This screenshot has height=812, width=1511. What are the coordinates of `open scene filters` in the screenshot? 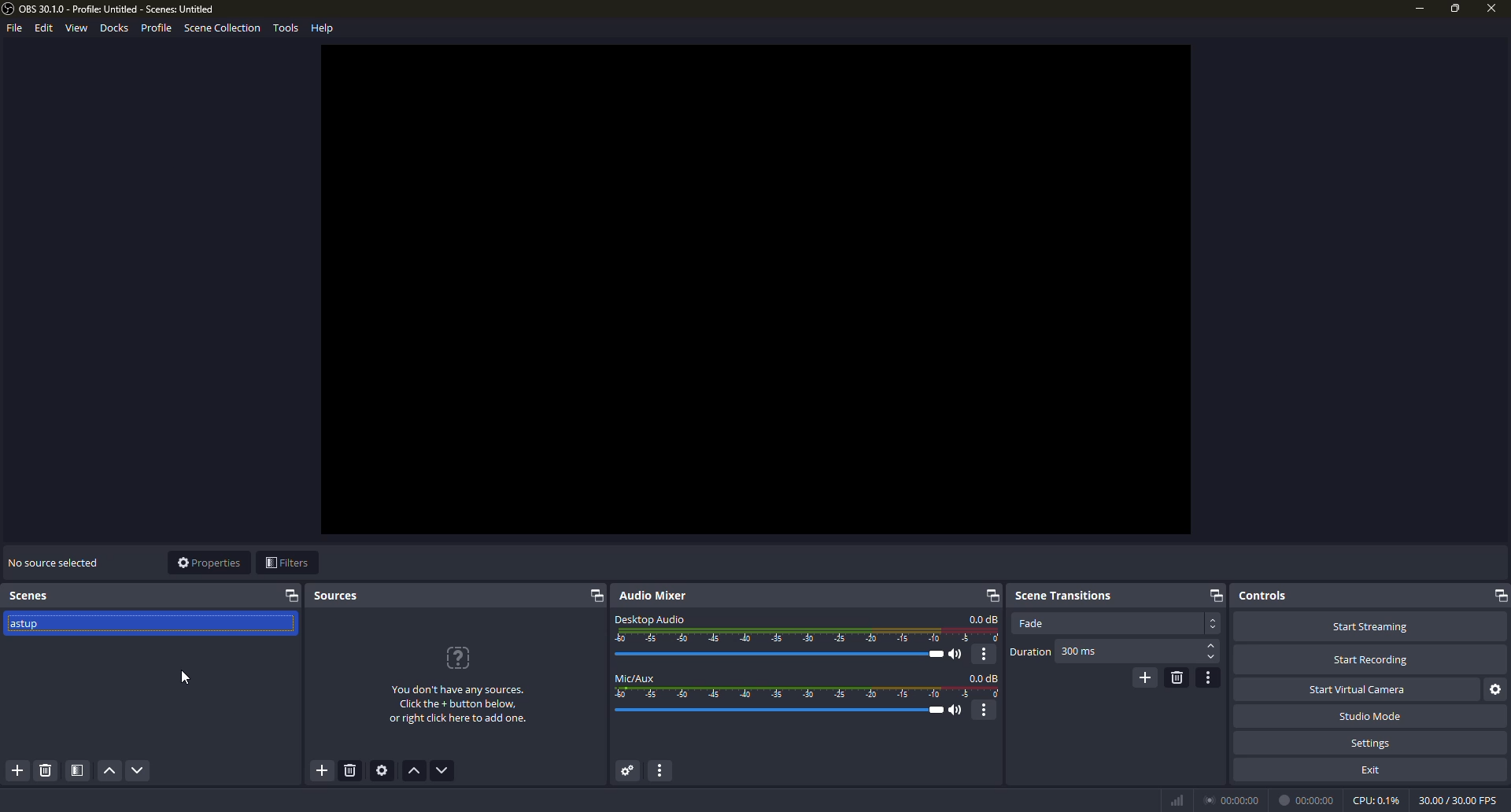 It's located at (78, 771).